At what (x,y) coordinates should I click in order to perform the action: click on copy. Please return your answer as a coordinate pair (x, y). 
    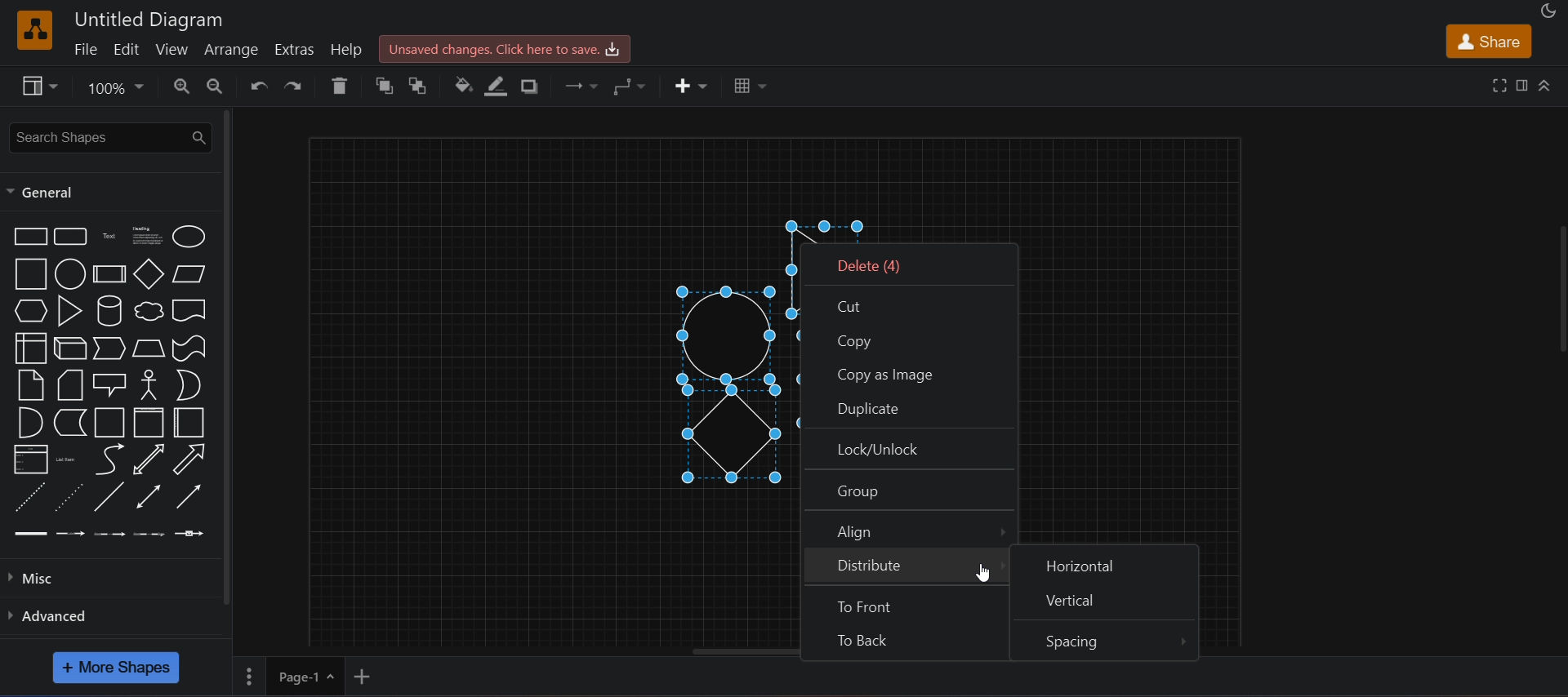
    Looking at the image, I should click on (906, 337).